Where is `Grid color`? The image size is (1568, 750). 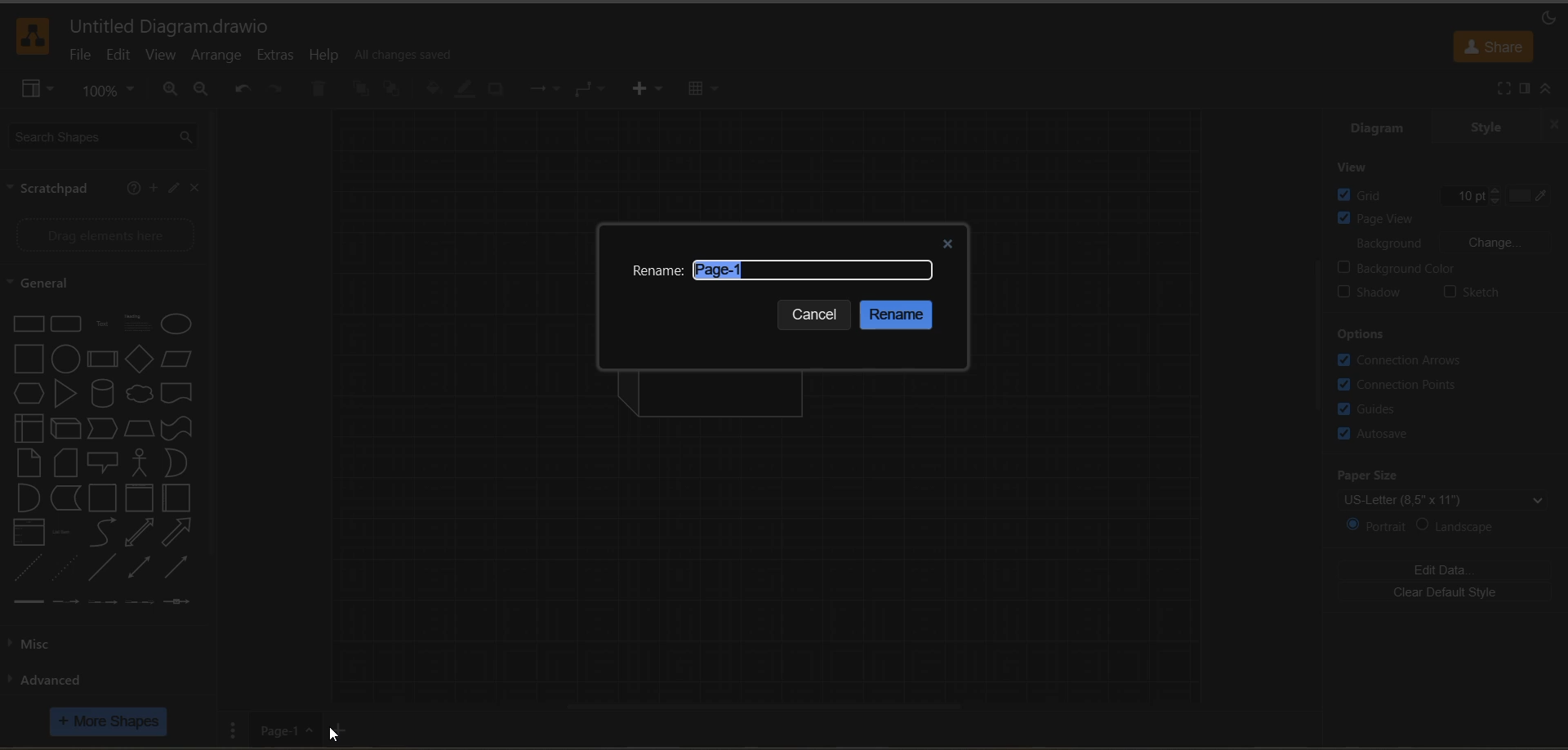 Grid color is located at coordinates (1517, 190).